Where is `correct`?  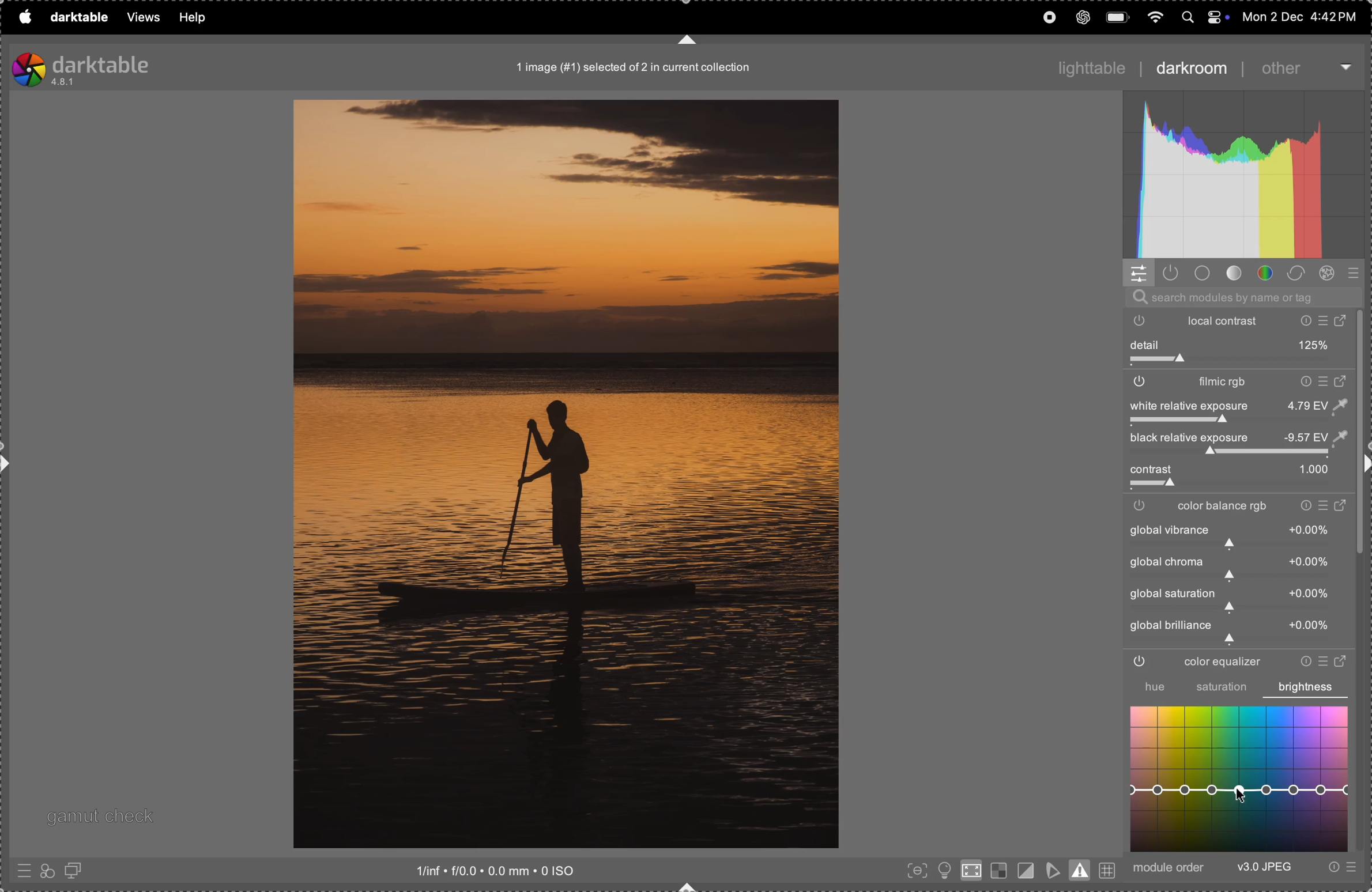
correct is located at coordinates (1299, 273).